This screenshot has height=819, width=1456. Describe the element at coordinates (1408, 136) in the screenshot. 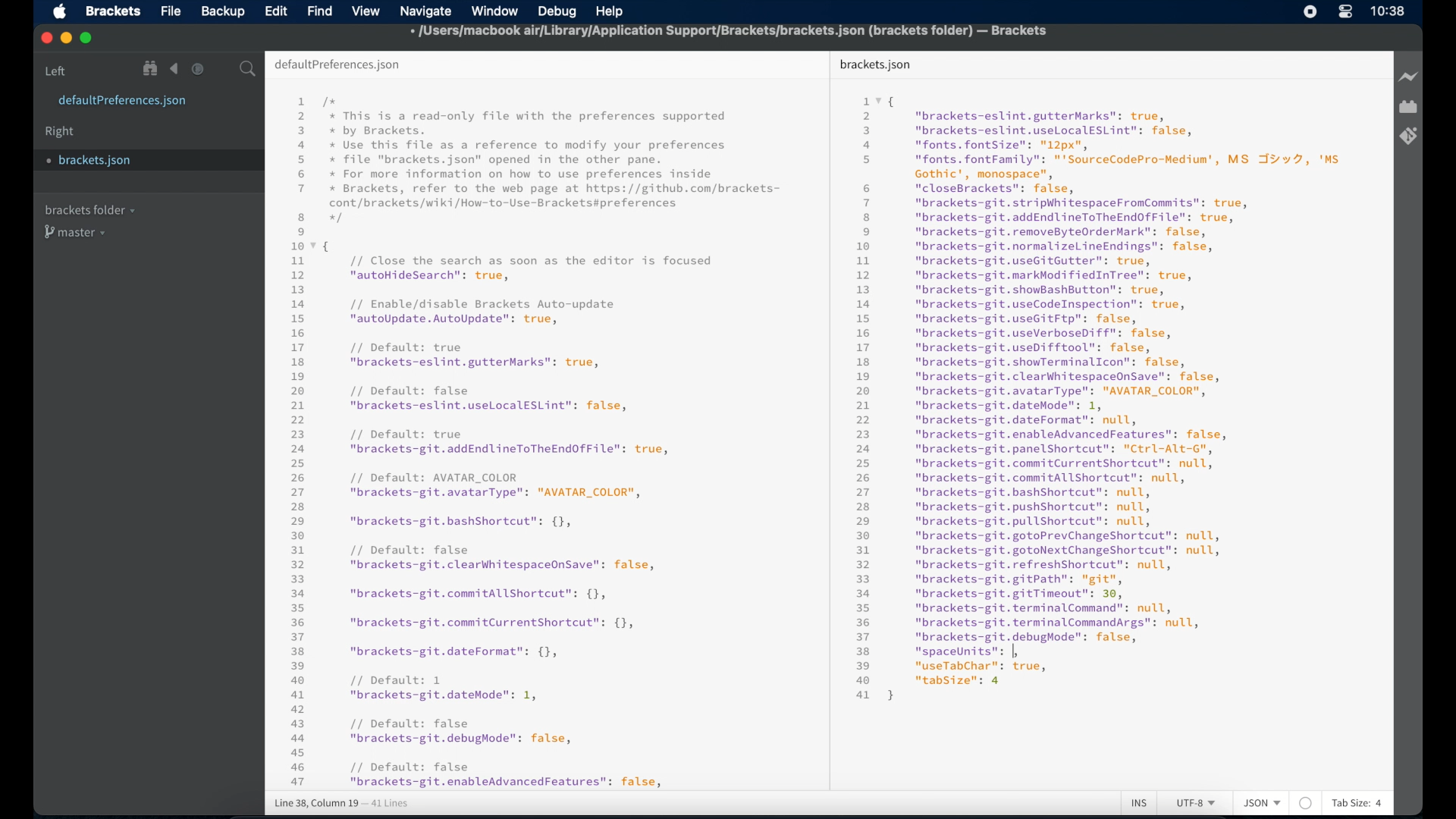

I see `brackets  git extension` at that location.